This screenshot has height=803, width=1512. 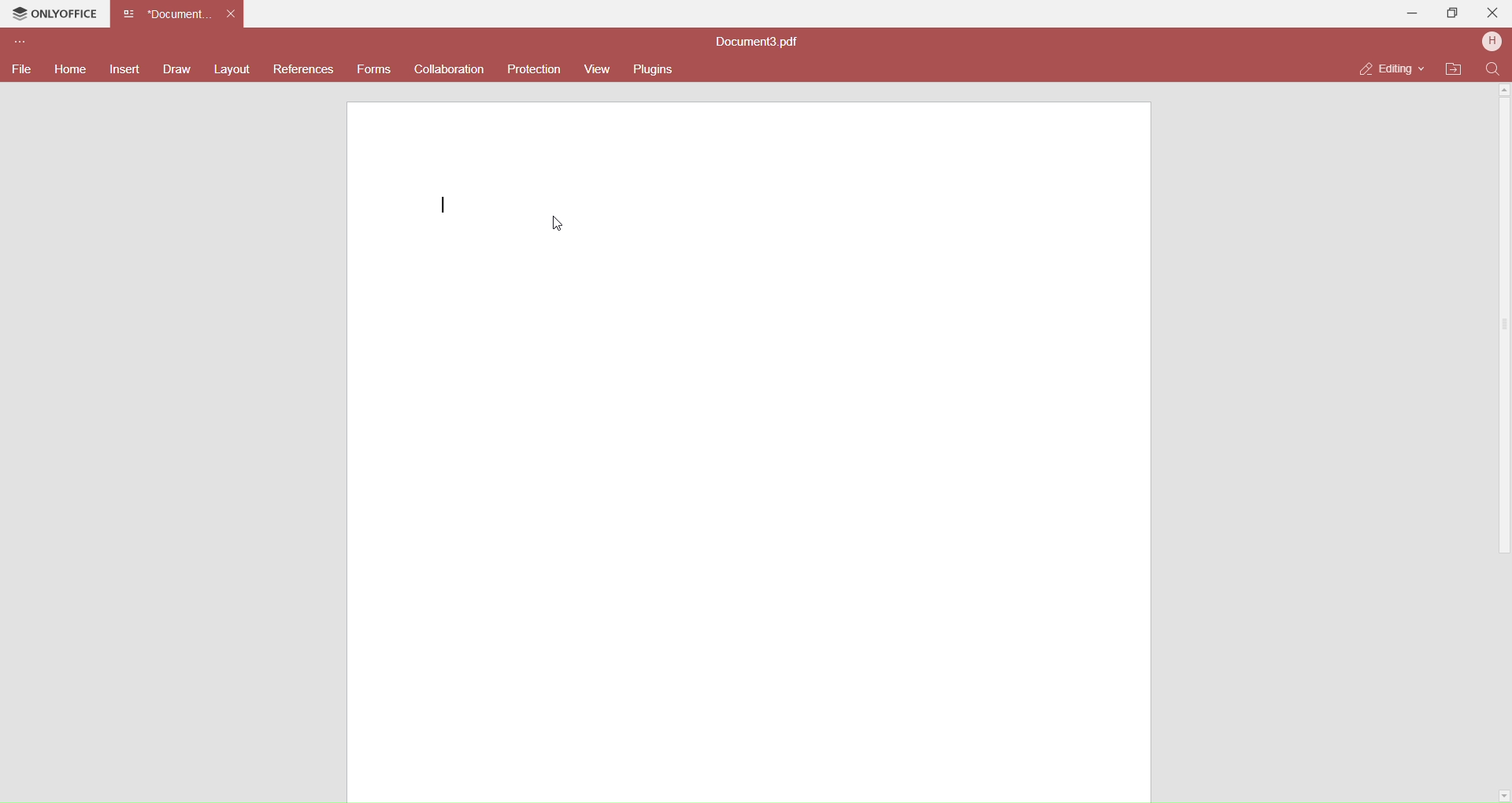 What do you see at coordinates (557, 223) in the screenshot?
I see `Cursor` at bounding box center [557, 223].